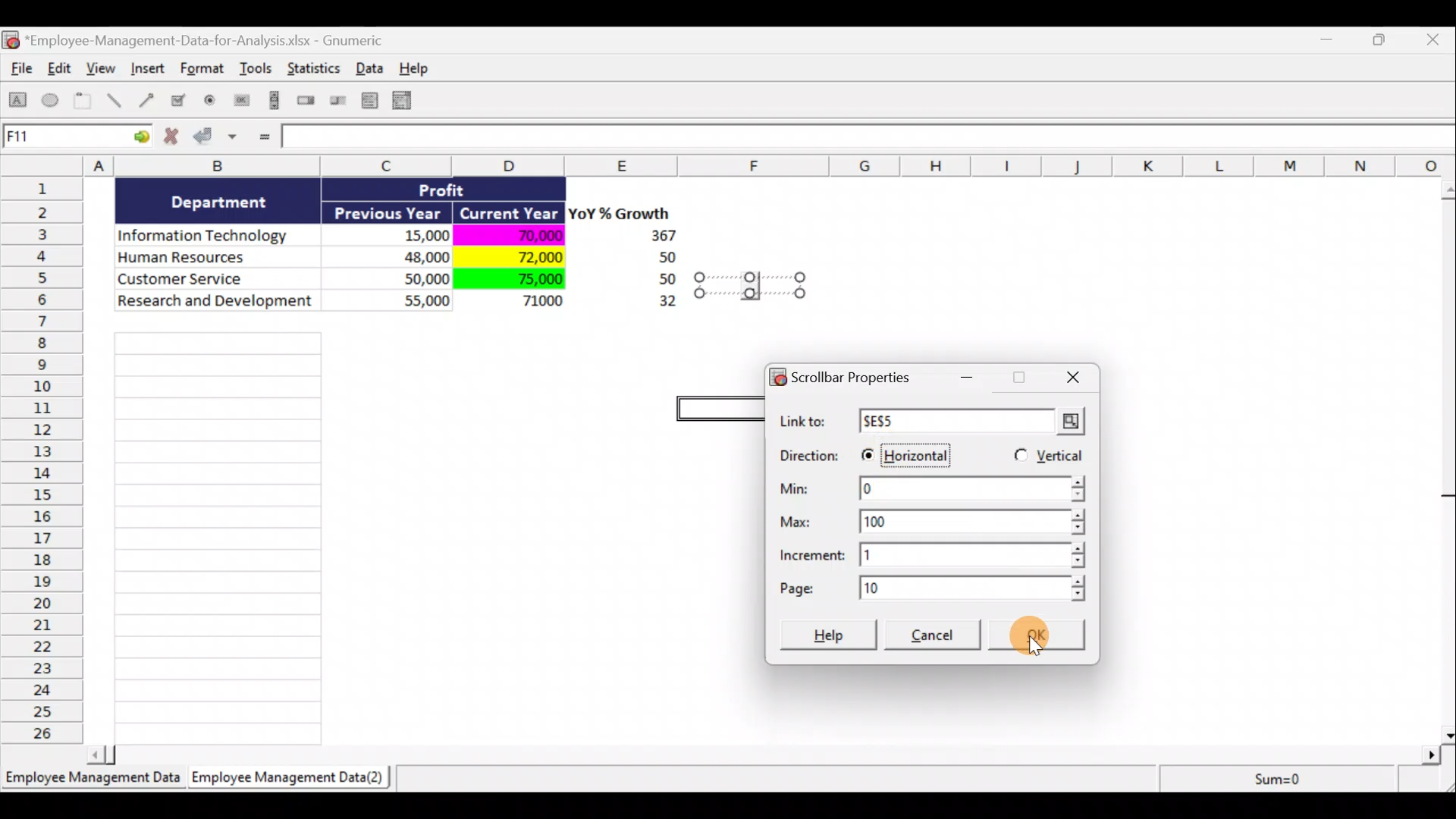 The image size is (1456, 819). I want to click on Sheet 2, so click(292, 781).